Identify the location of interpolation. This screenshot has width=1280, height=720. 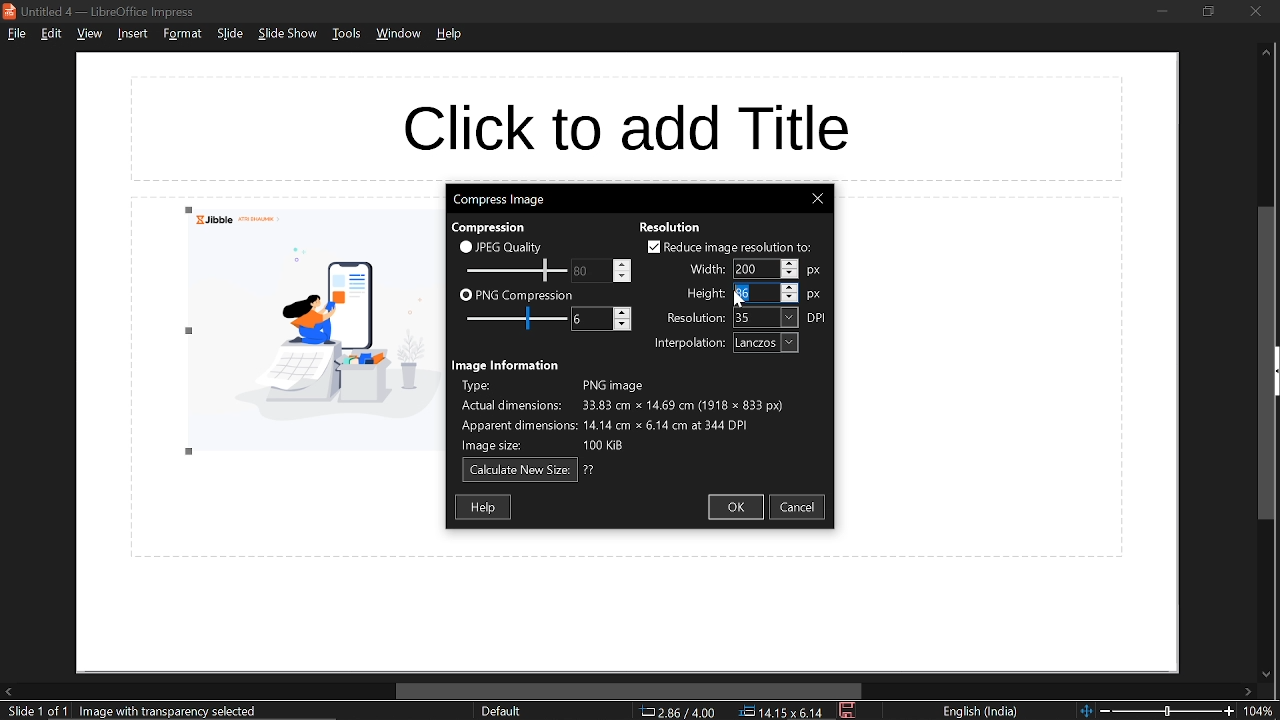
(685, 344).